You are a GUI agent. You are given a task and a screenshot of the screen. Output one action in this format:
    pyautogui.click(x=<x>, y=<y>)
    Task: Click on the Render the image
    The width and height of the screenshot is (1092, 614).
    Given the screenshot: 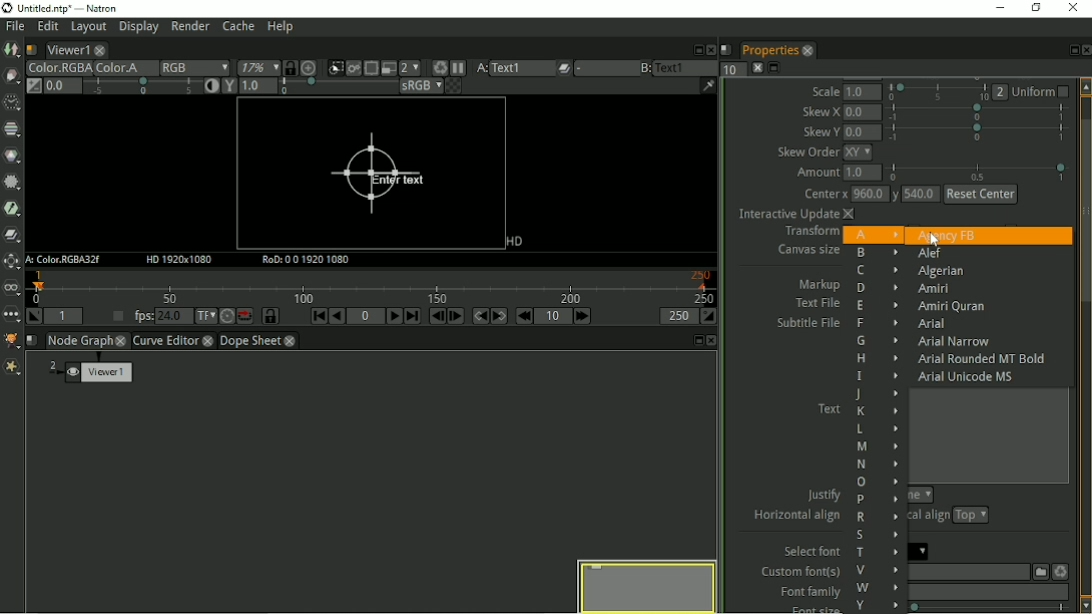 What is the action you would take?
    pyautogui.click(x=356, y=66)
    